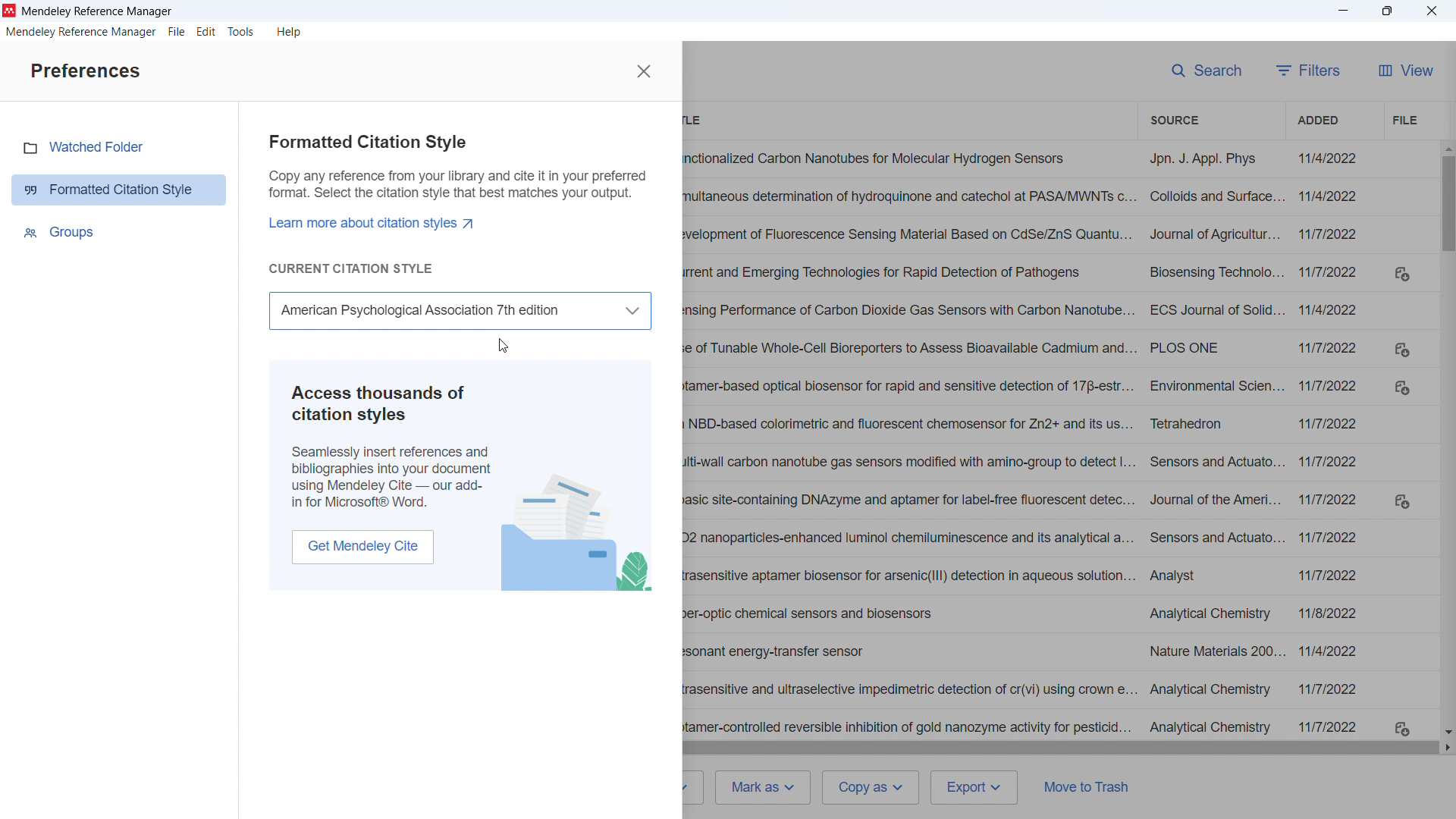 The height and width of the screenshot is (819, 1456). I want to click on Move to trash , so click(1091, 786).